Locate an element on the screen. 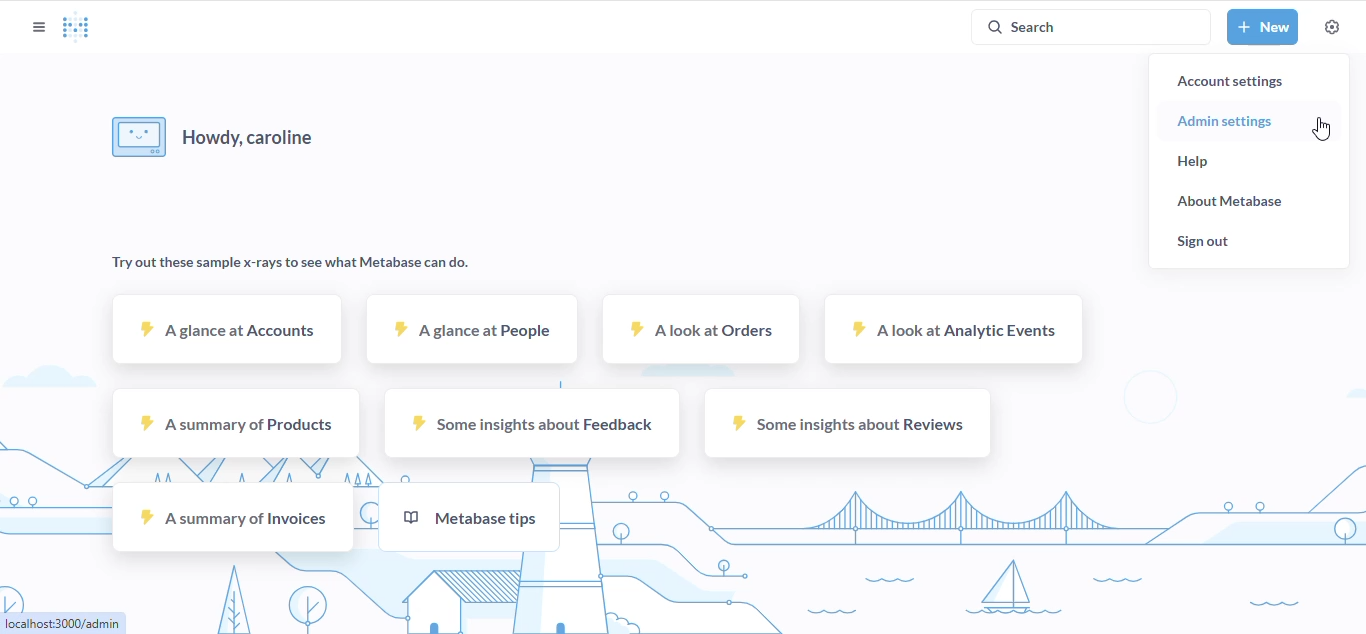 The height and width of the screenshot is (634, 1366). some insights about feedback is located at coordinates (530, 424).